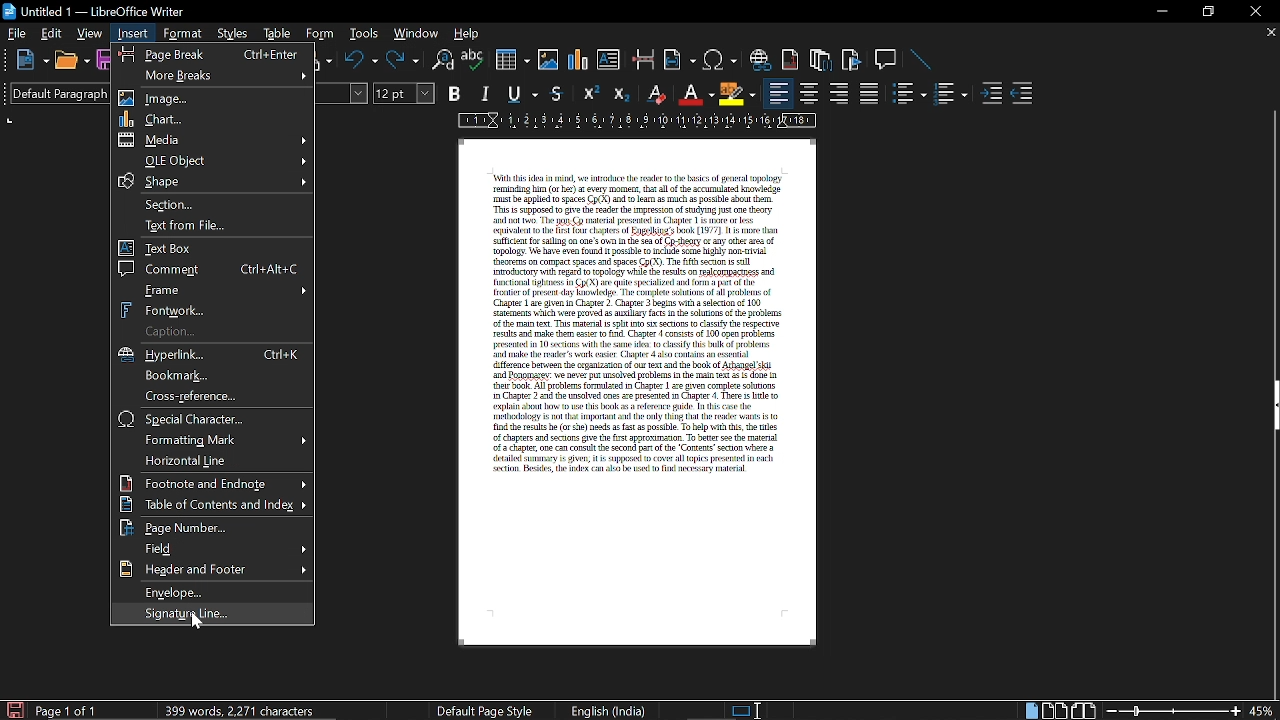 The width and height of the screenshot is (1280, 720). I want to click on insert pagebreak, so click(644, 59).